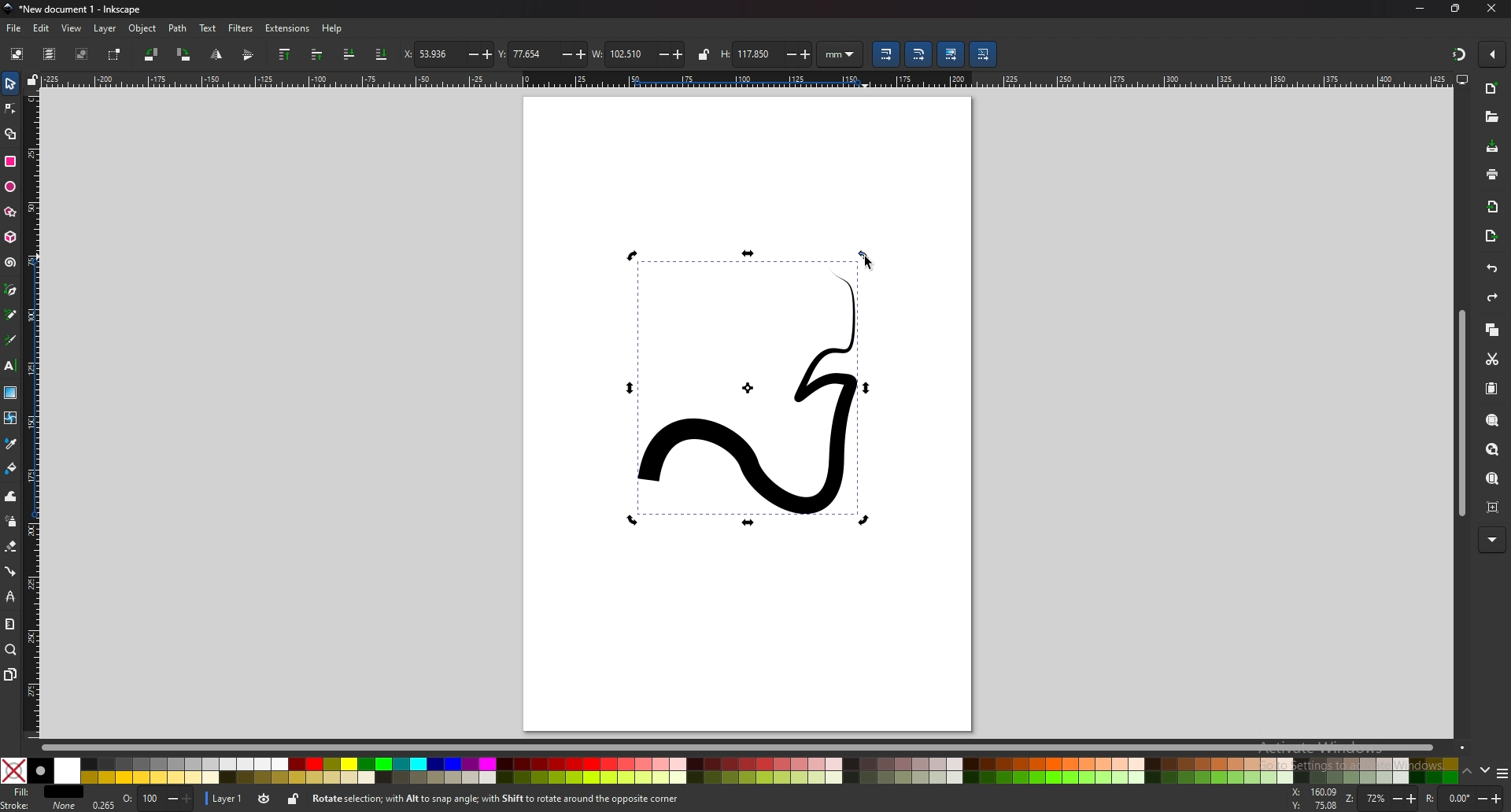 Image resolution: width=1511 pixels, height=812 pixels. I want to click on copy, so click(1493, 330).